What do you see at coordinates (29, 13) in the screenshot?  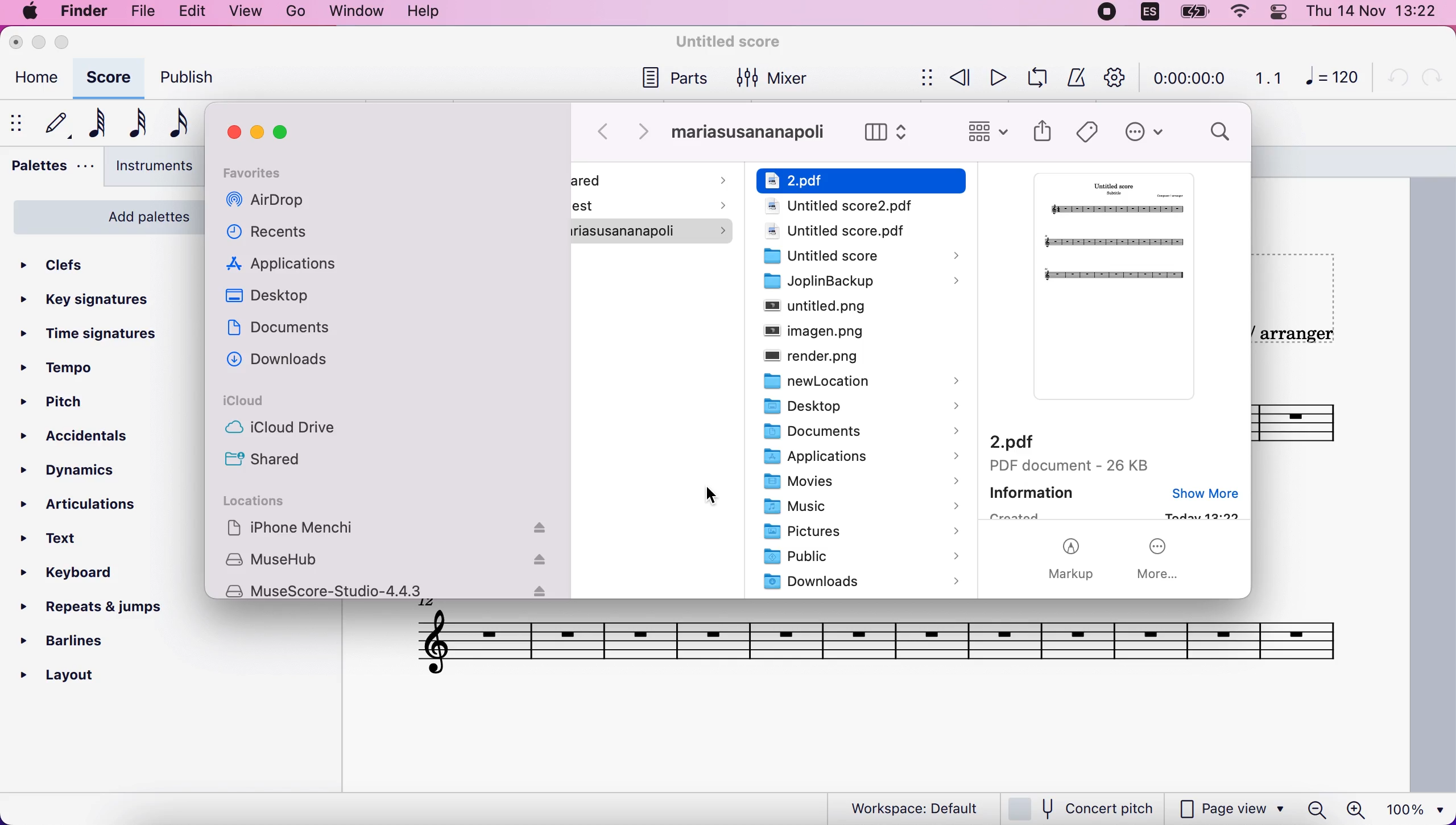 I see `mac logo` at bounding box center [29, 13].